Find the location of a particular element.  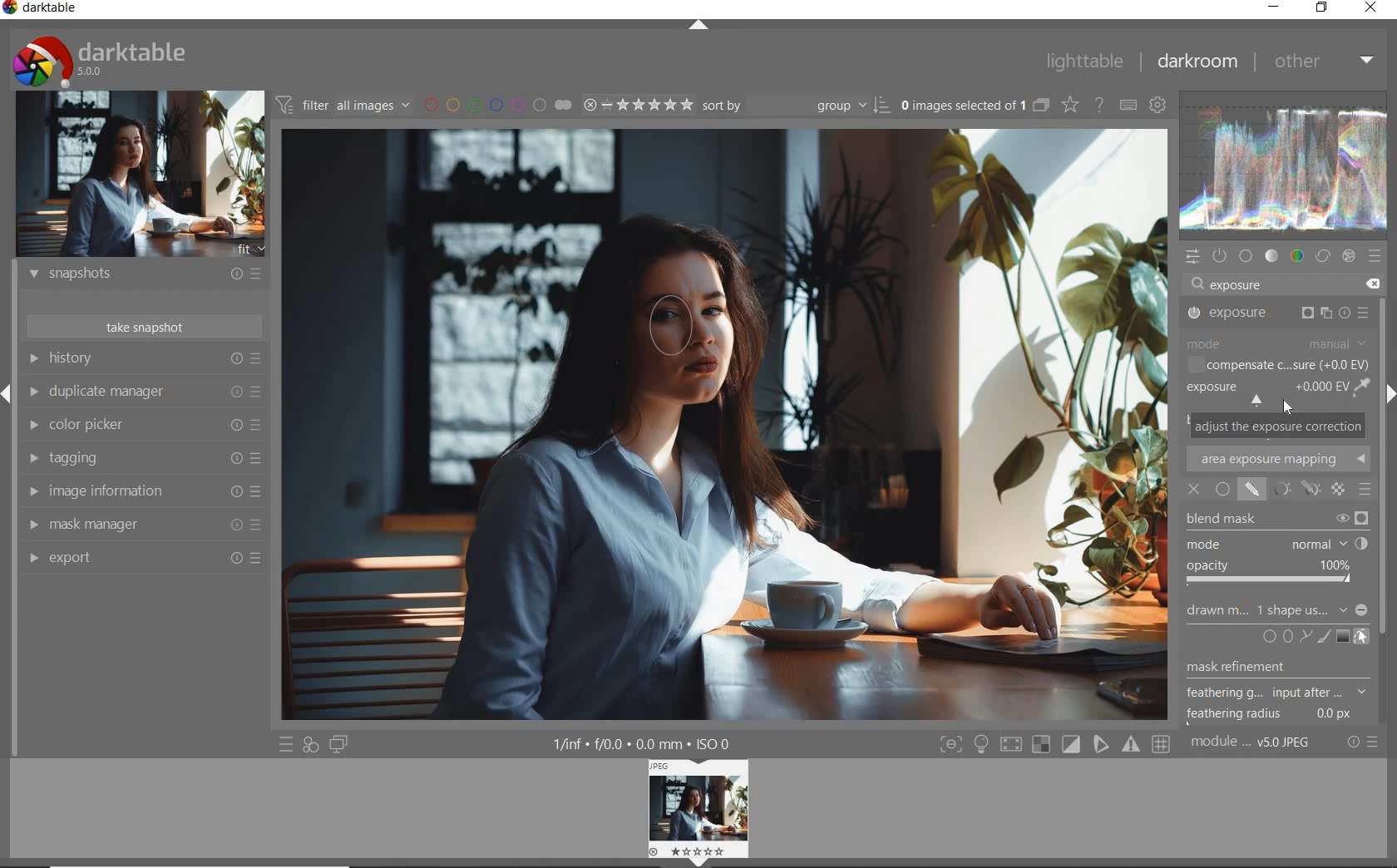

other display information is located at coordinates (642, 743).